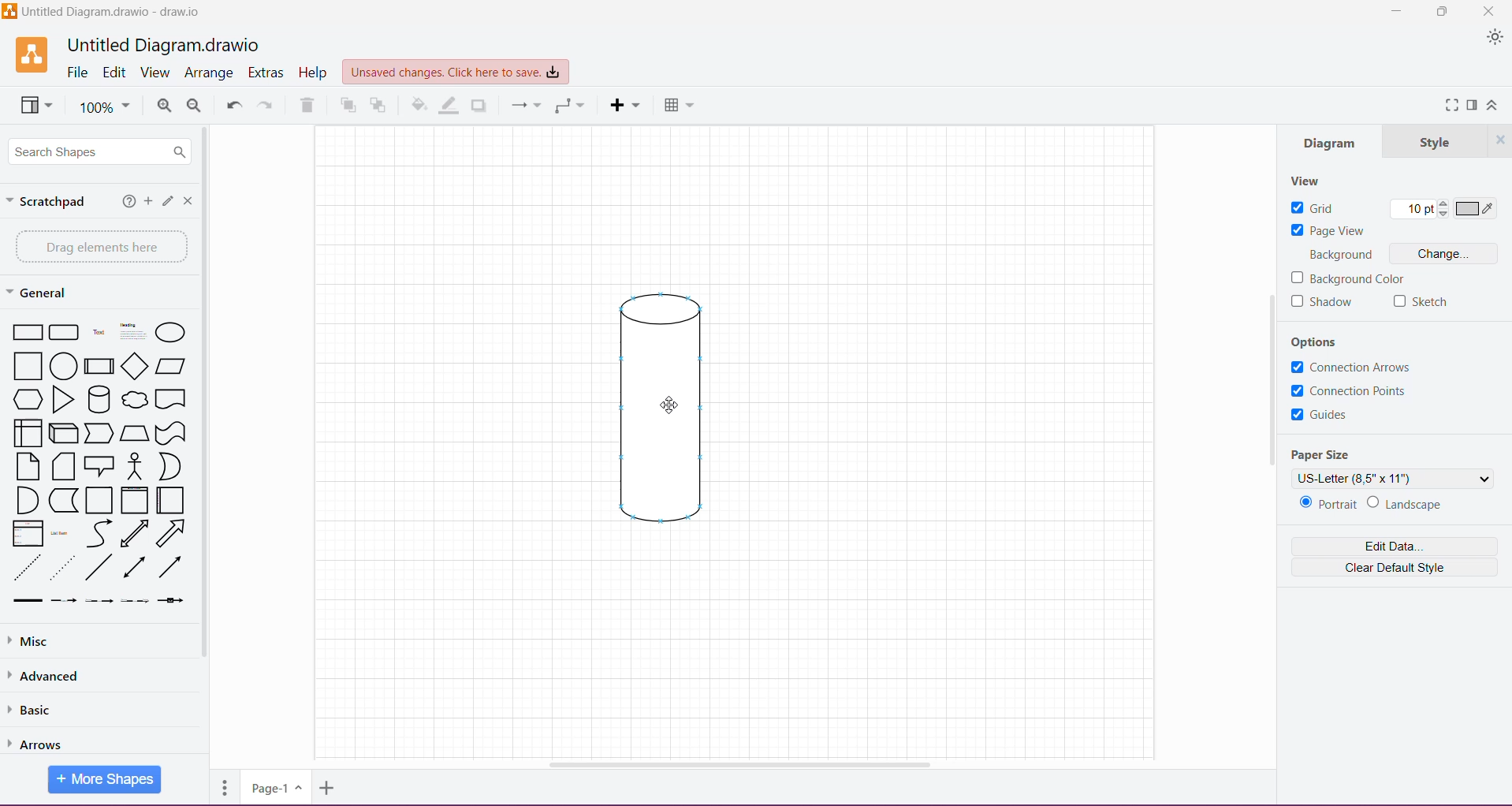 The height and width of the screenshot is (806, 1512). I want to click on Waypoints, so click(568, 107).